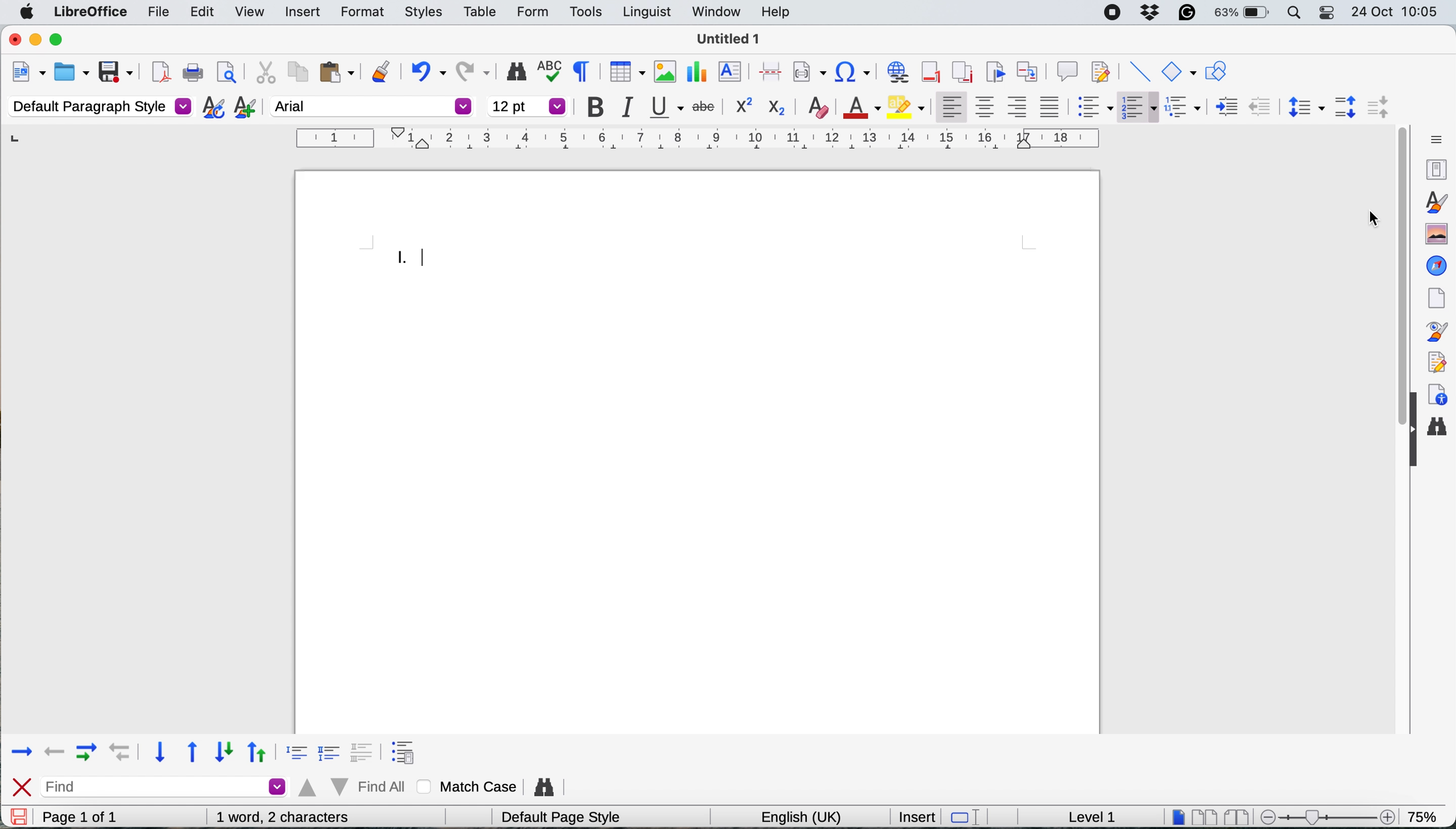 The image size is (1456, 829). What do you see at coordinates (21, 750) in the screenshot?
I see `forward` at bounding box center [21, 750].